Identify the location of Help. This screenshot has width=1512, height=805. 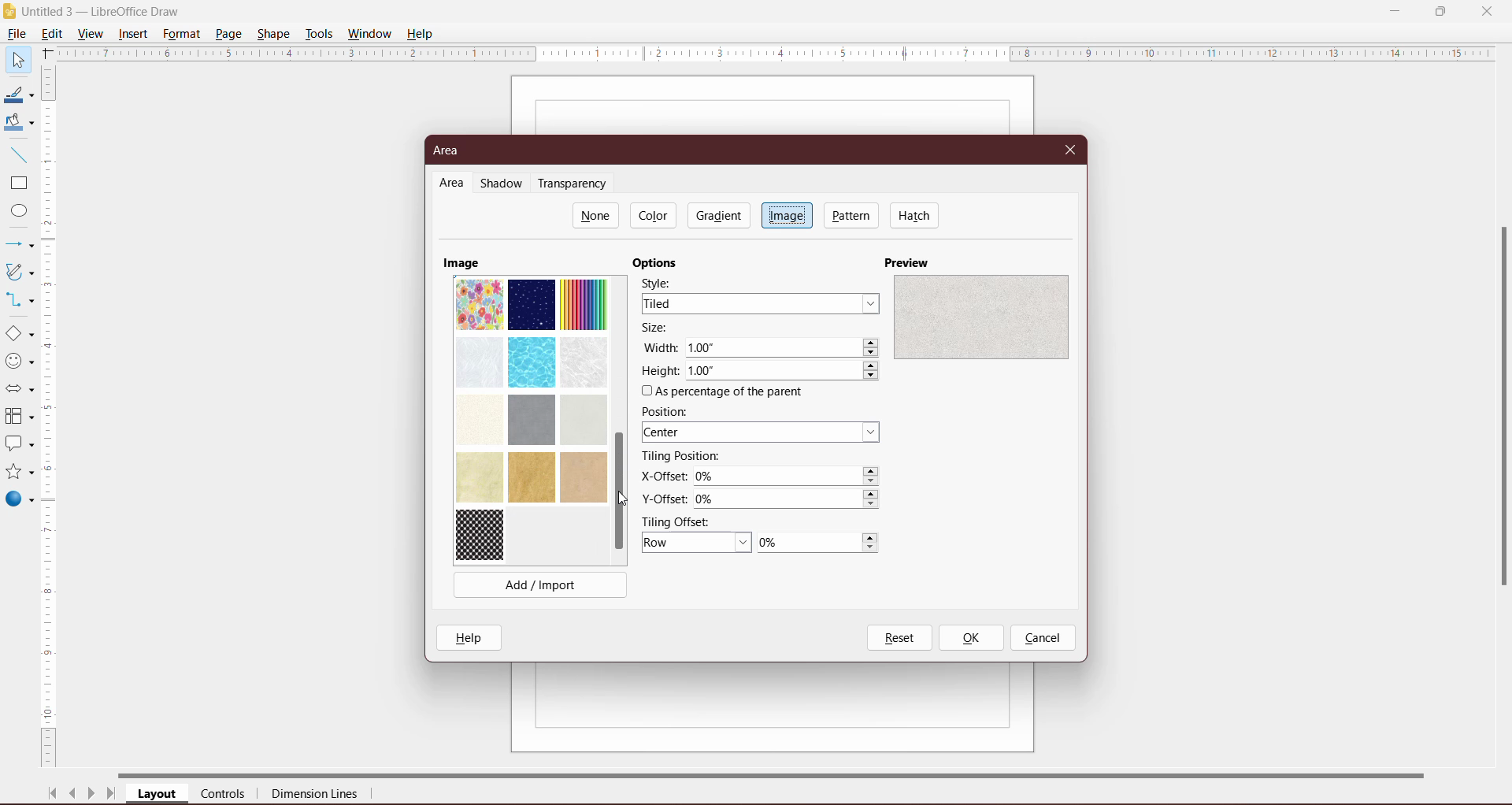
(422, 33).